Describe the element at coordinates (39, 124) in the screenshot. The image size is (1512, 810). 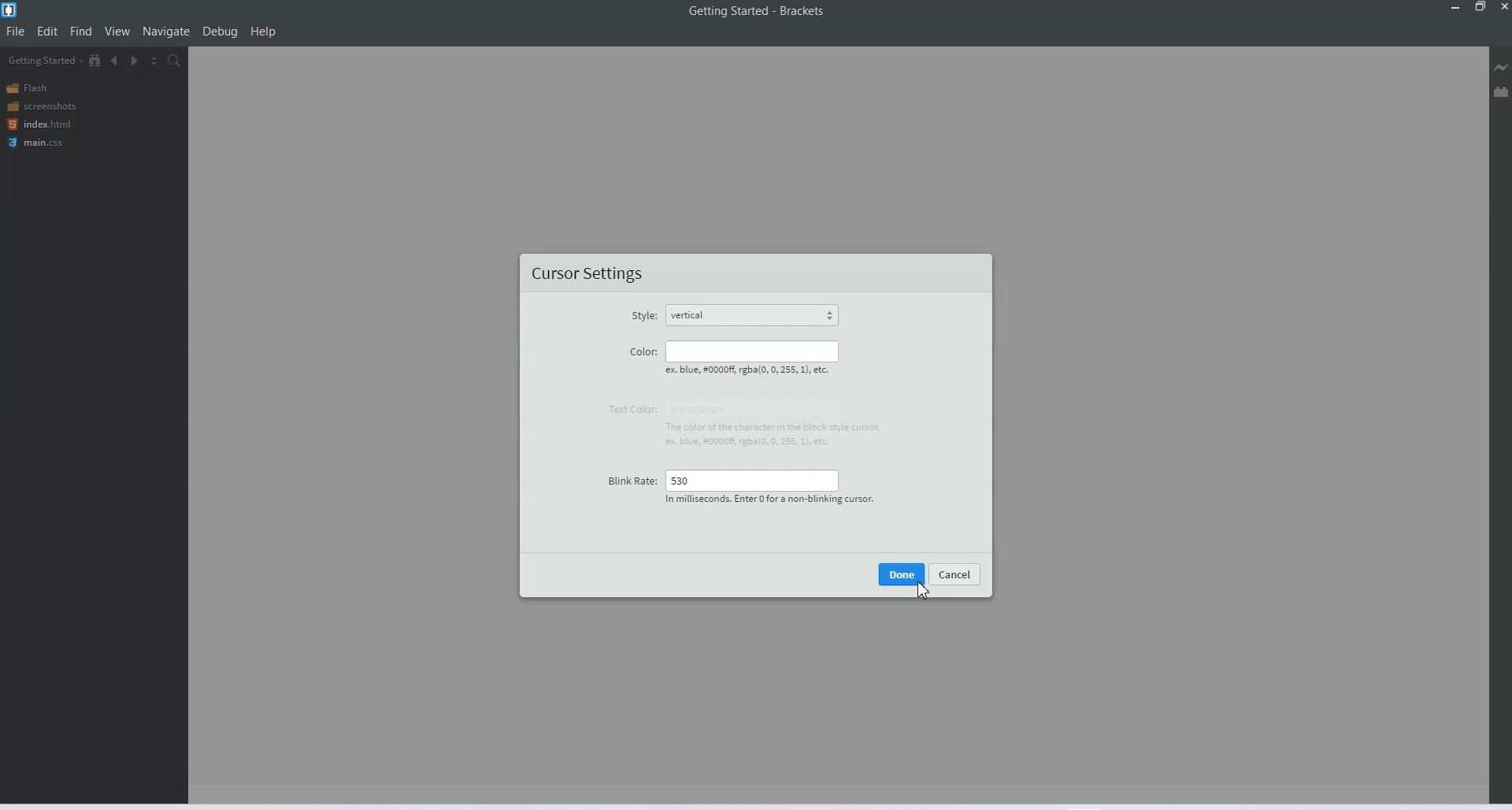
I see `index.html` at that location.